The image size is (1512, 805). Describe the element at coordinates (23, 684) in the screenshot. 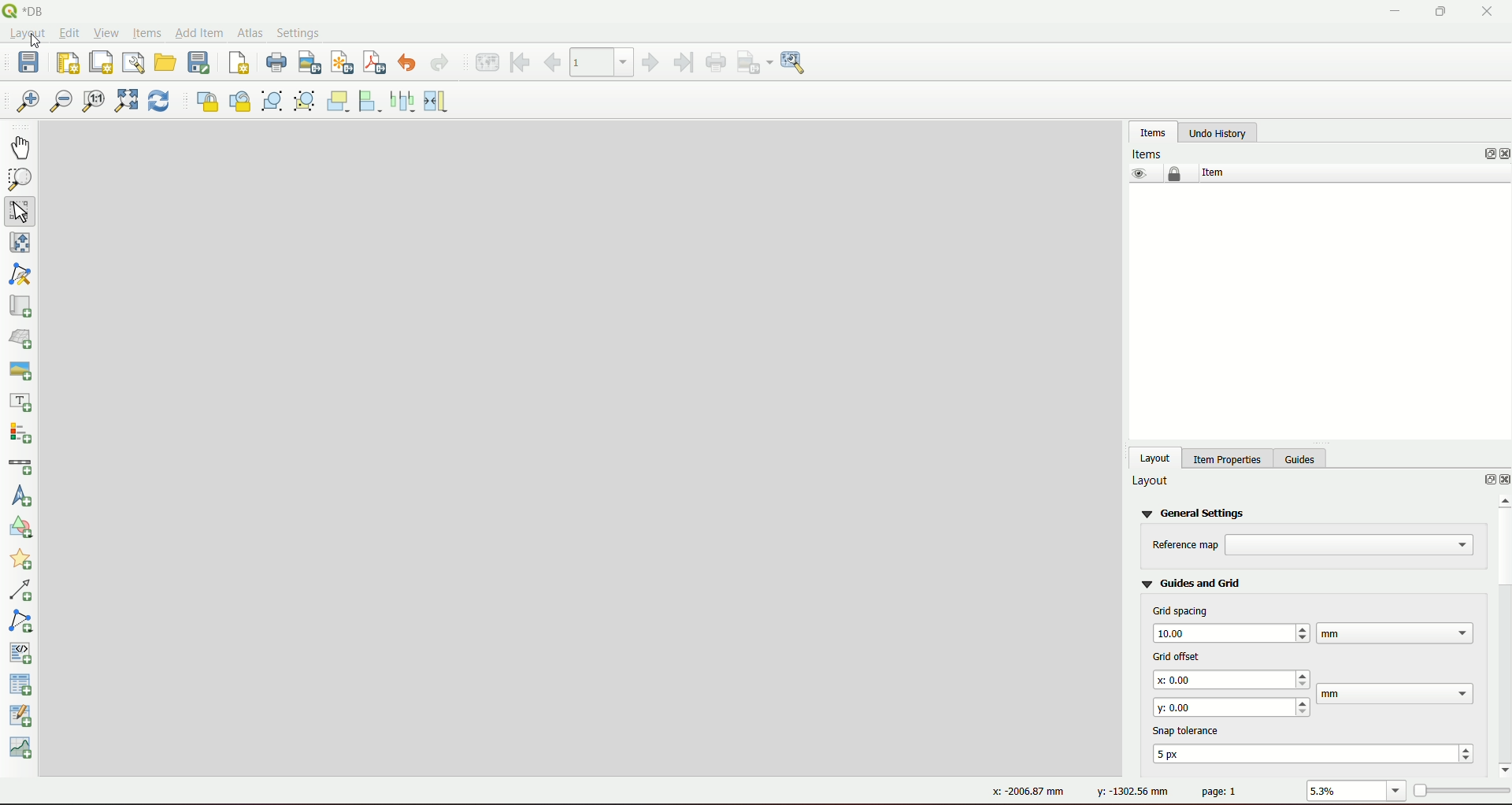

I see `add fixed table` at that location.